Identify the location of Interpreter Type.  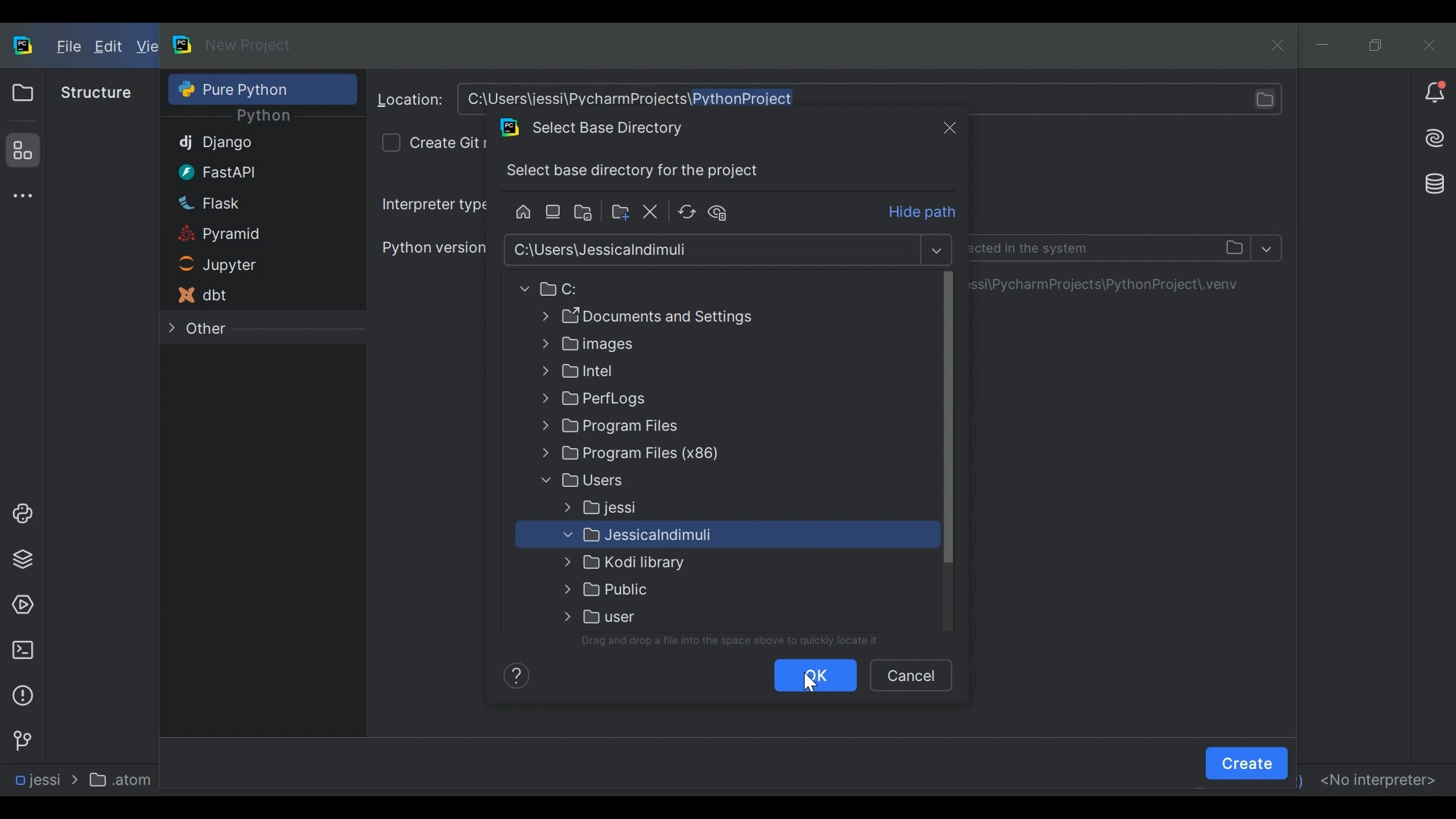
(433, 204).